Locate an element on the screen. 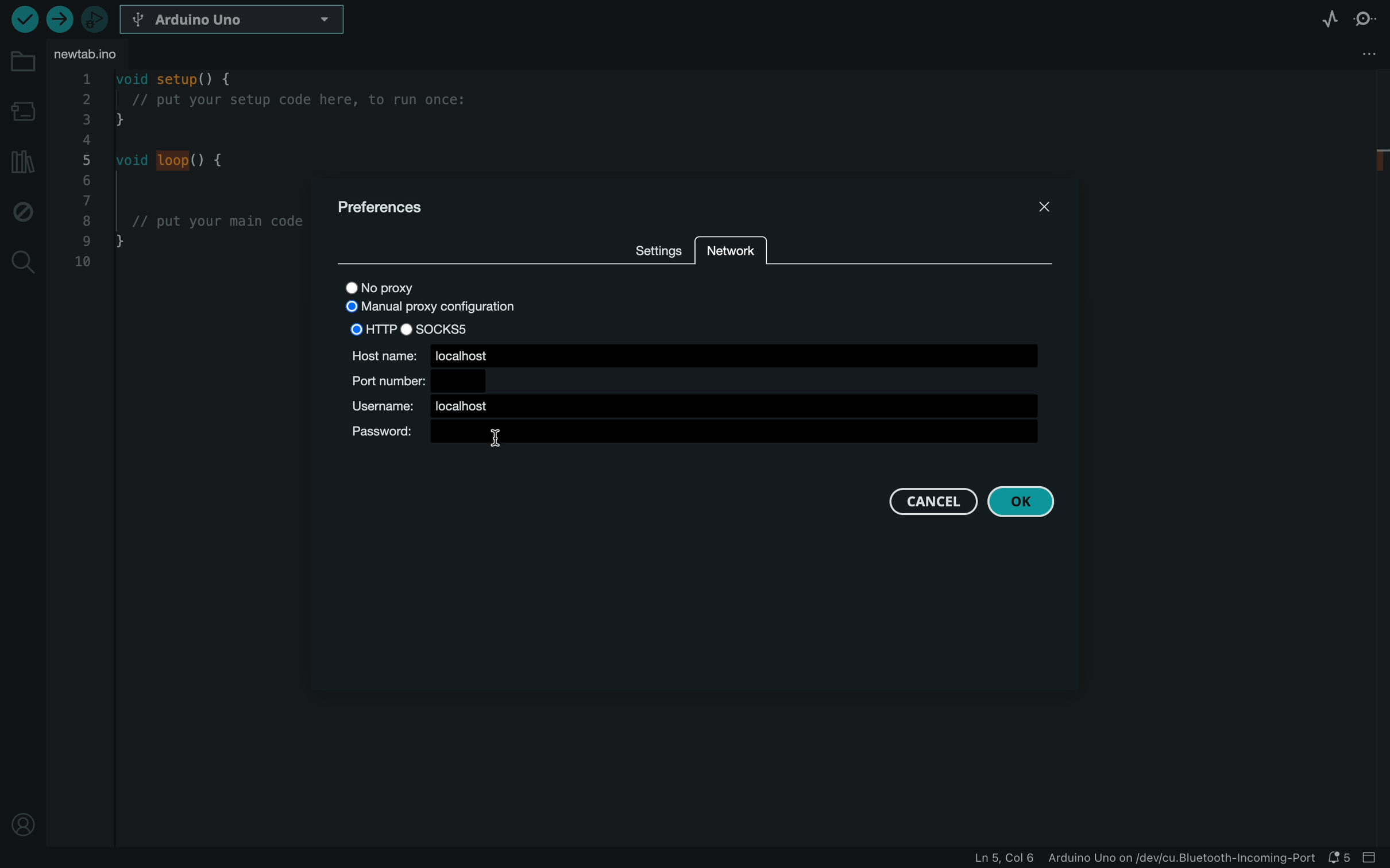 The width and height of the screenshot is (1390, 868). file tab is located at coordinates (93, 56).